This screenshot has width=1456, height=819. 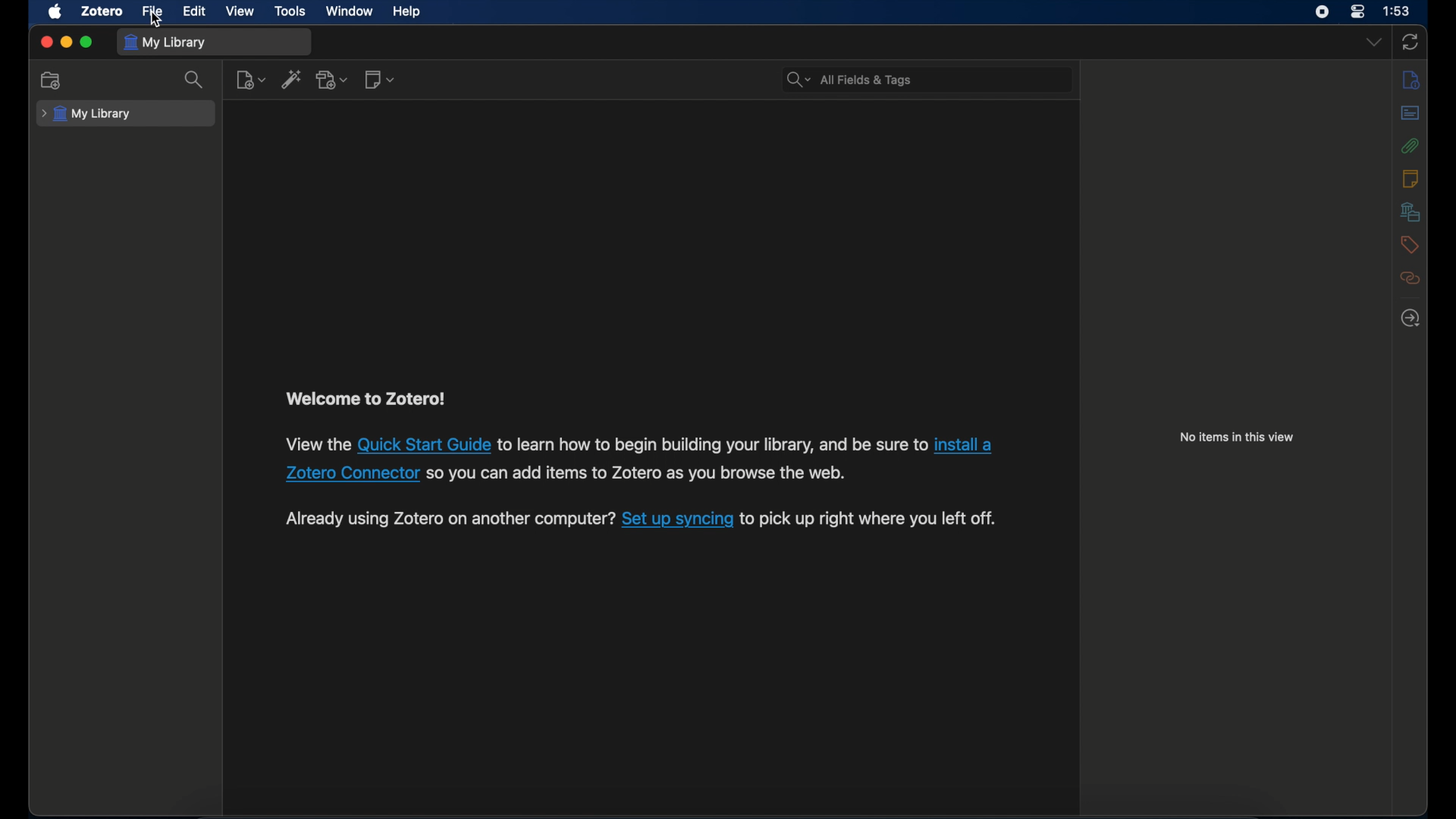 I want to click on cursor, so click(x=155, y=20).